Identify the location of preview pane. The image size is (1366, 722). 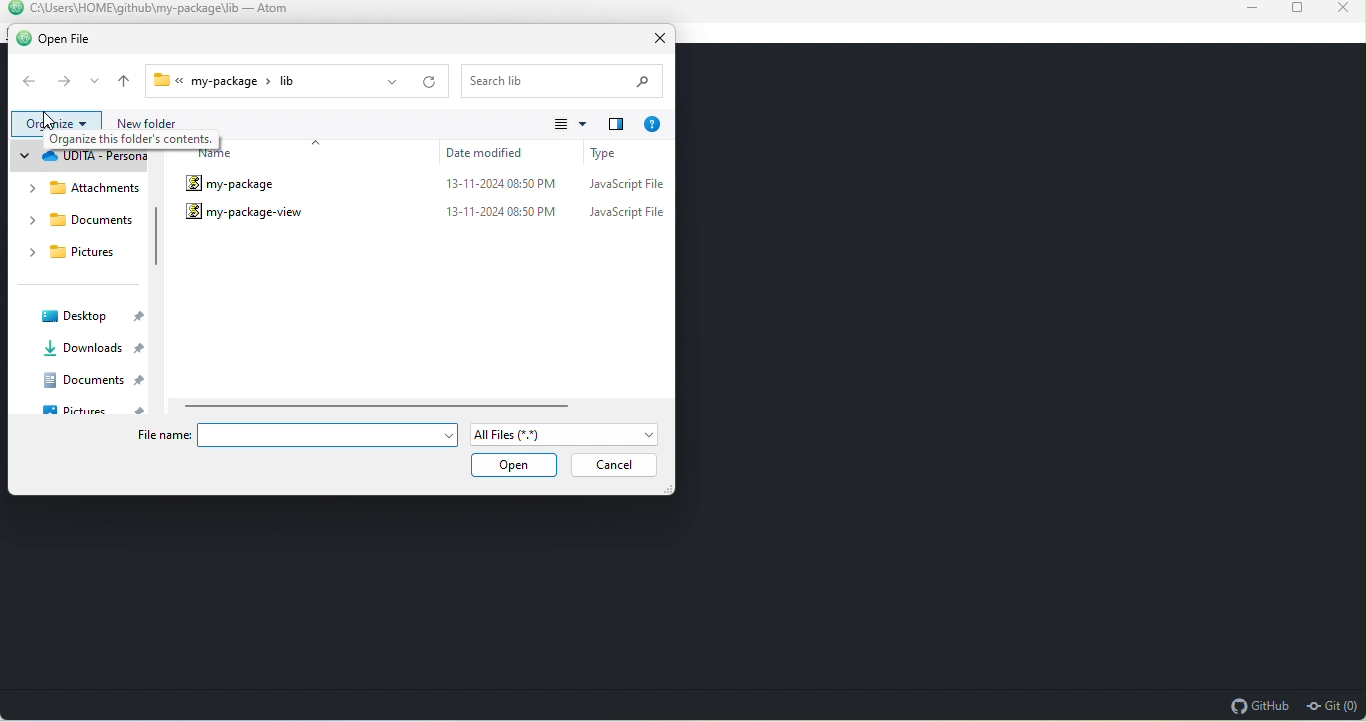
(616, 125).